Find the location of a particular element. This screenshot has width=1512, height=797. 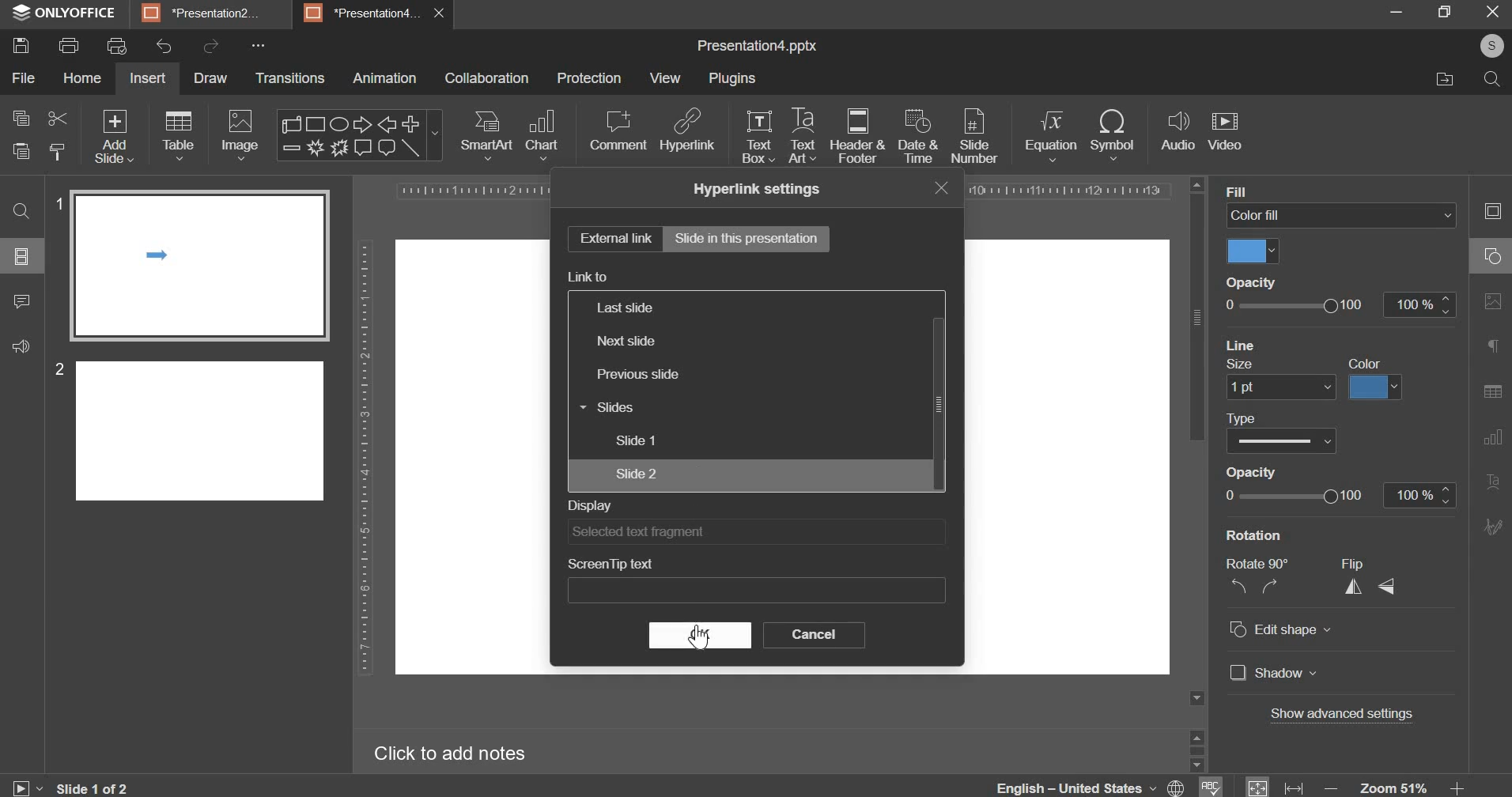

zoom is located at coordinates (1397, 784).